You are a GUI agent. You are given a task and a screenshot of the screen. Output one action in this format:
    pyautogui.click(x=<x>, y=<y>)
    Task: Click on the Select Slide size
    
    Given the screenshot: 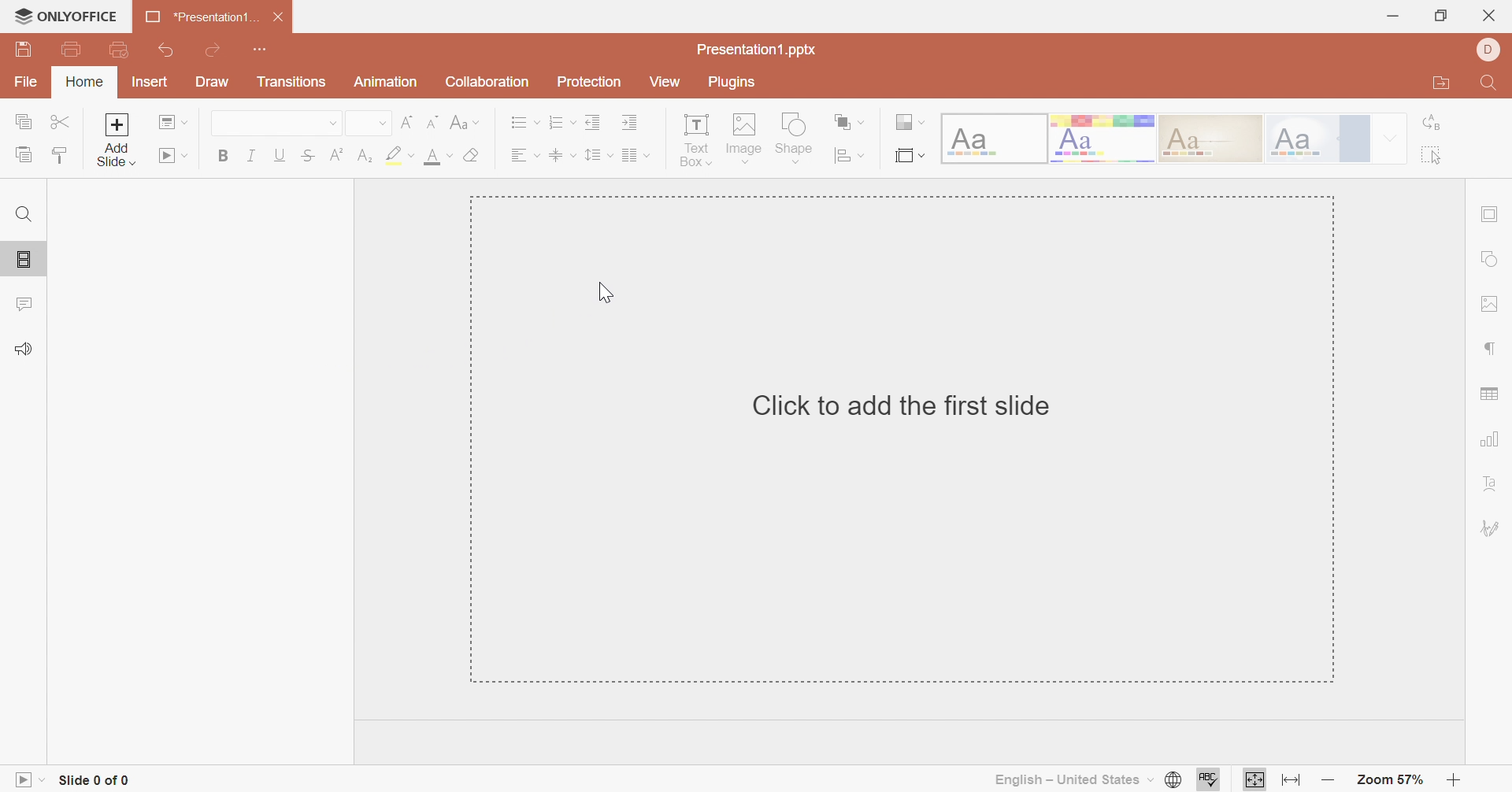 What is the action you would take?
    pyautogui.click(x=906, y=155)
    